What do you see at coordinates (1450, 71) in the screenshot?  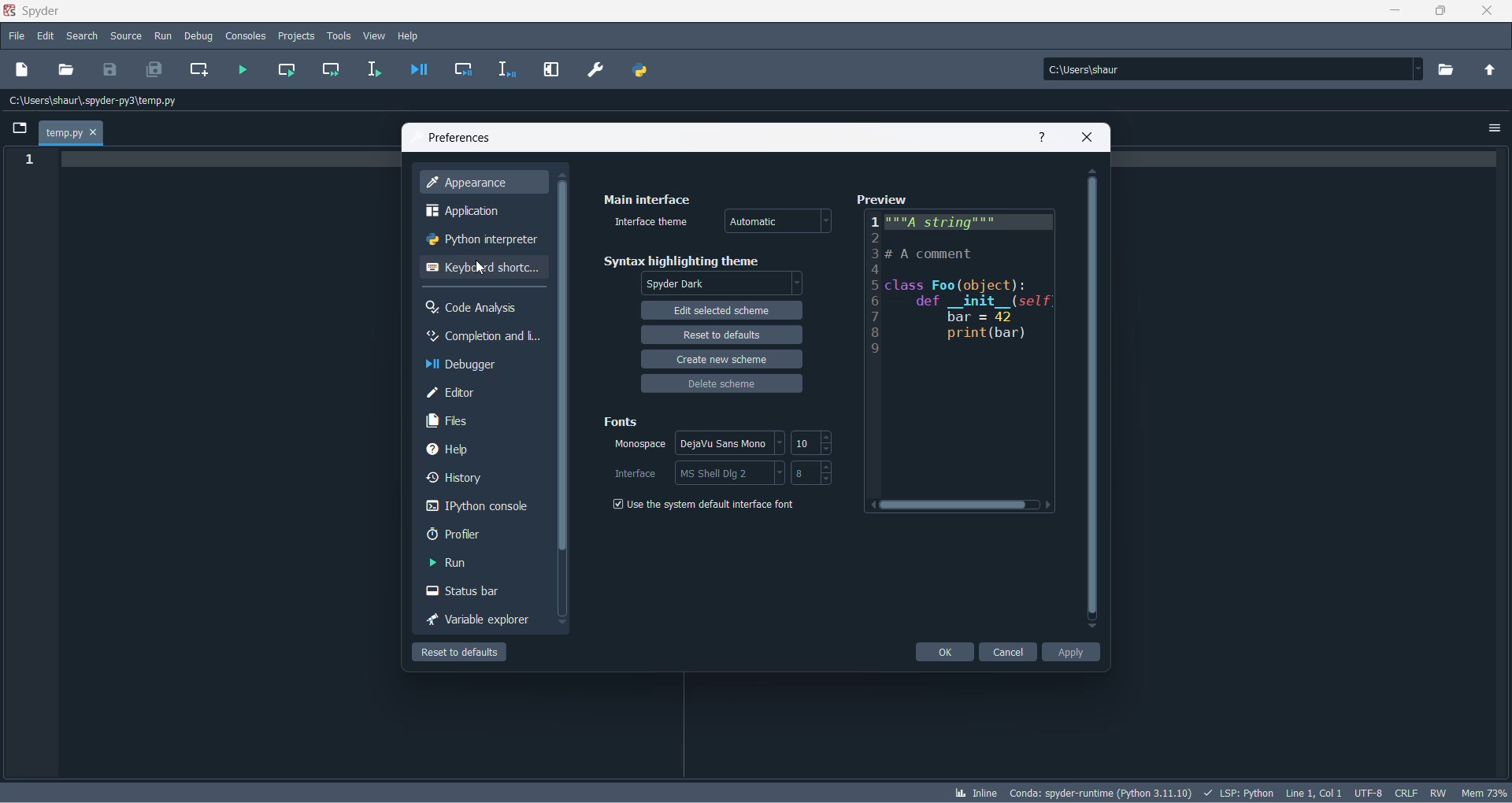 I see `working directory` at bounding box center [1450, 71].